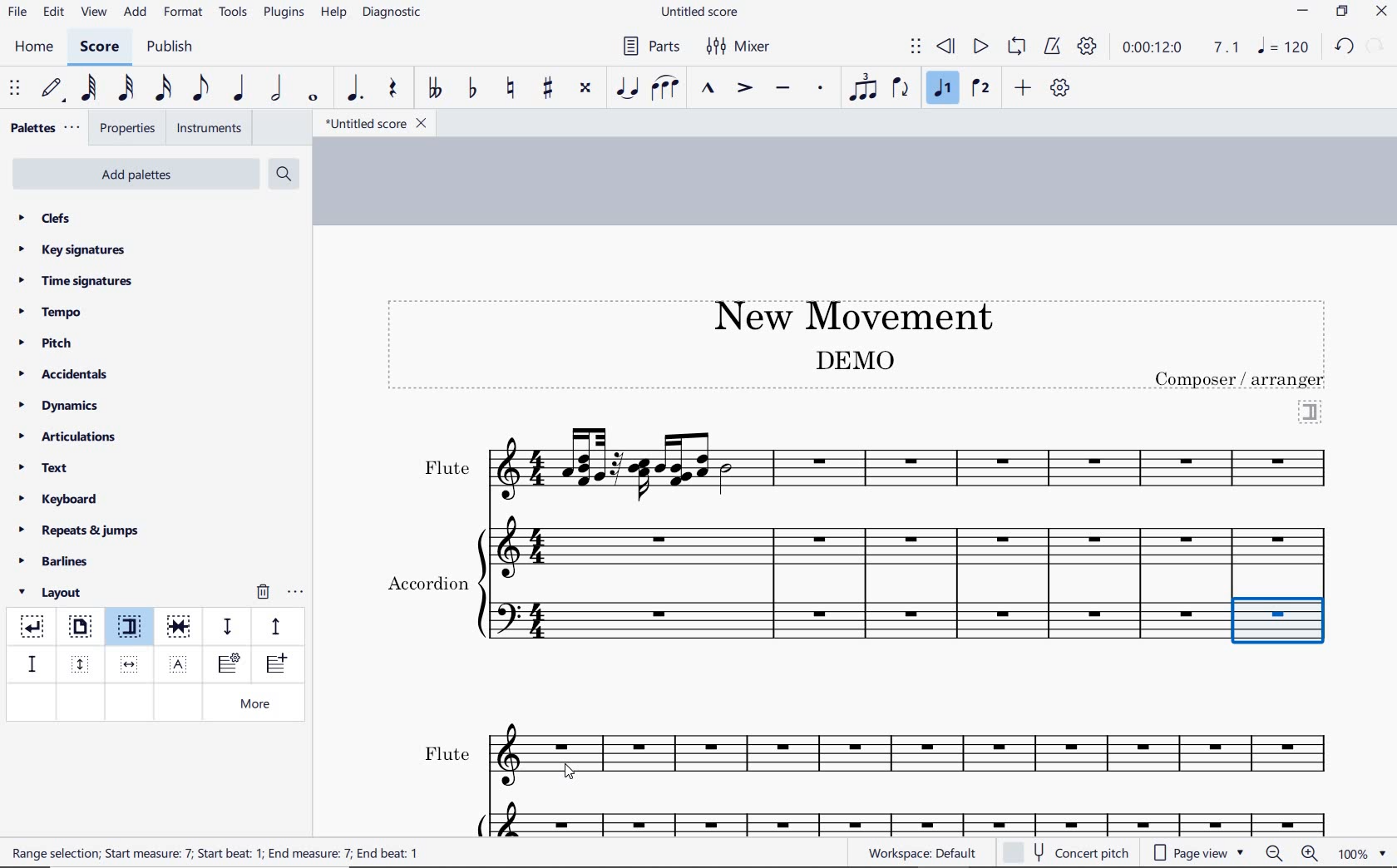  Describe the element at coordinates (434, 89) in the screenshot. I see `toggle double-flat` at that location.